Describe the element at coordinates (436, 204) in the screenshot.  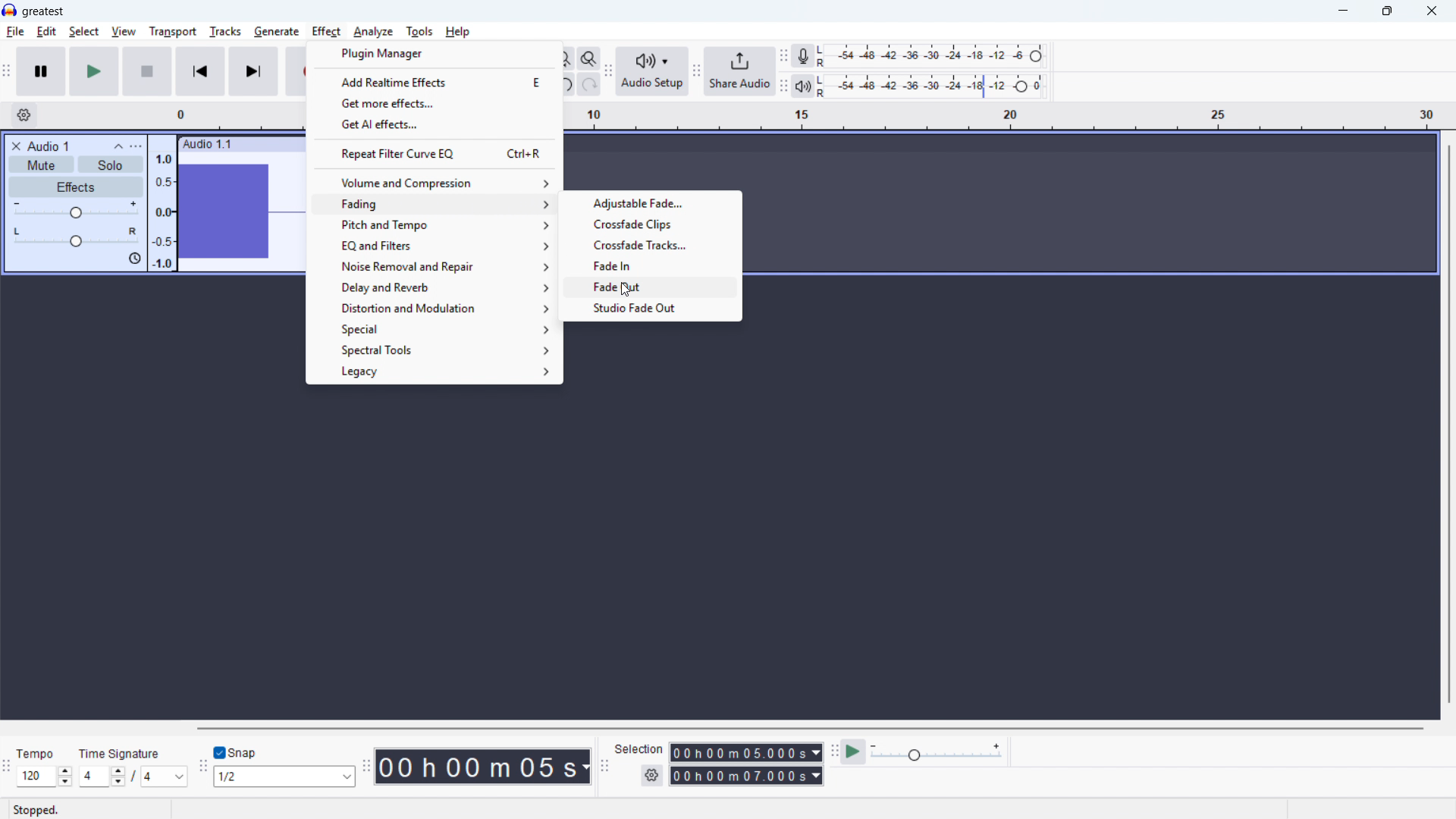
I see `Fading ` at that location.